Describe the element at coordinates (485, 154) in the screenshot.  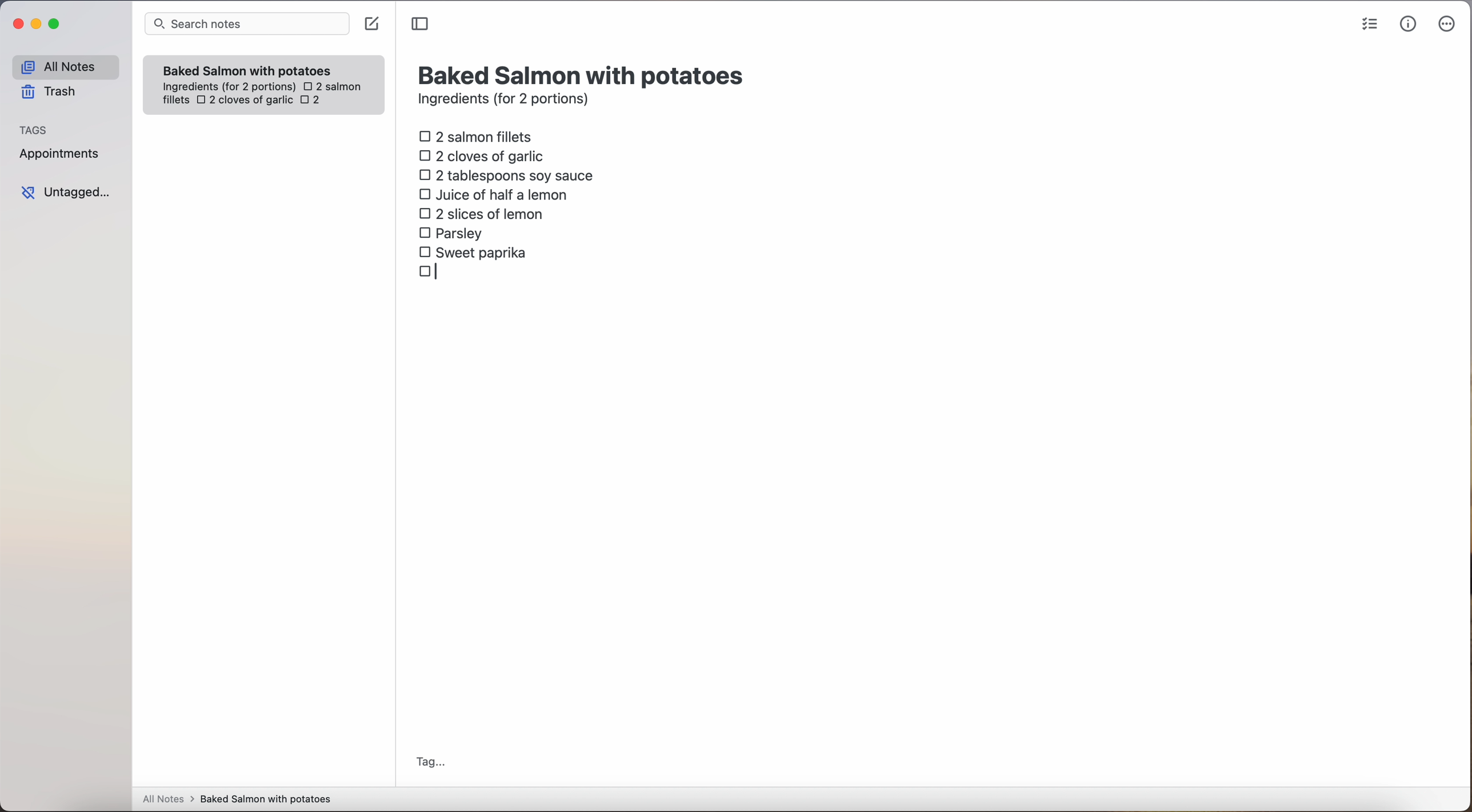
I see `2 cloves of garlic` at that location.